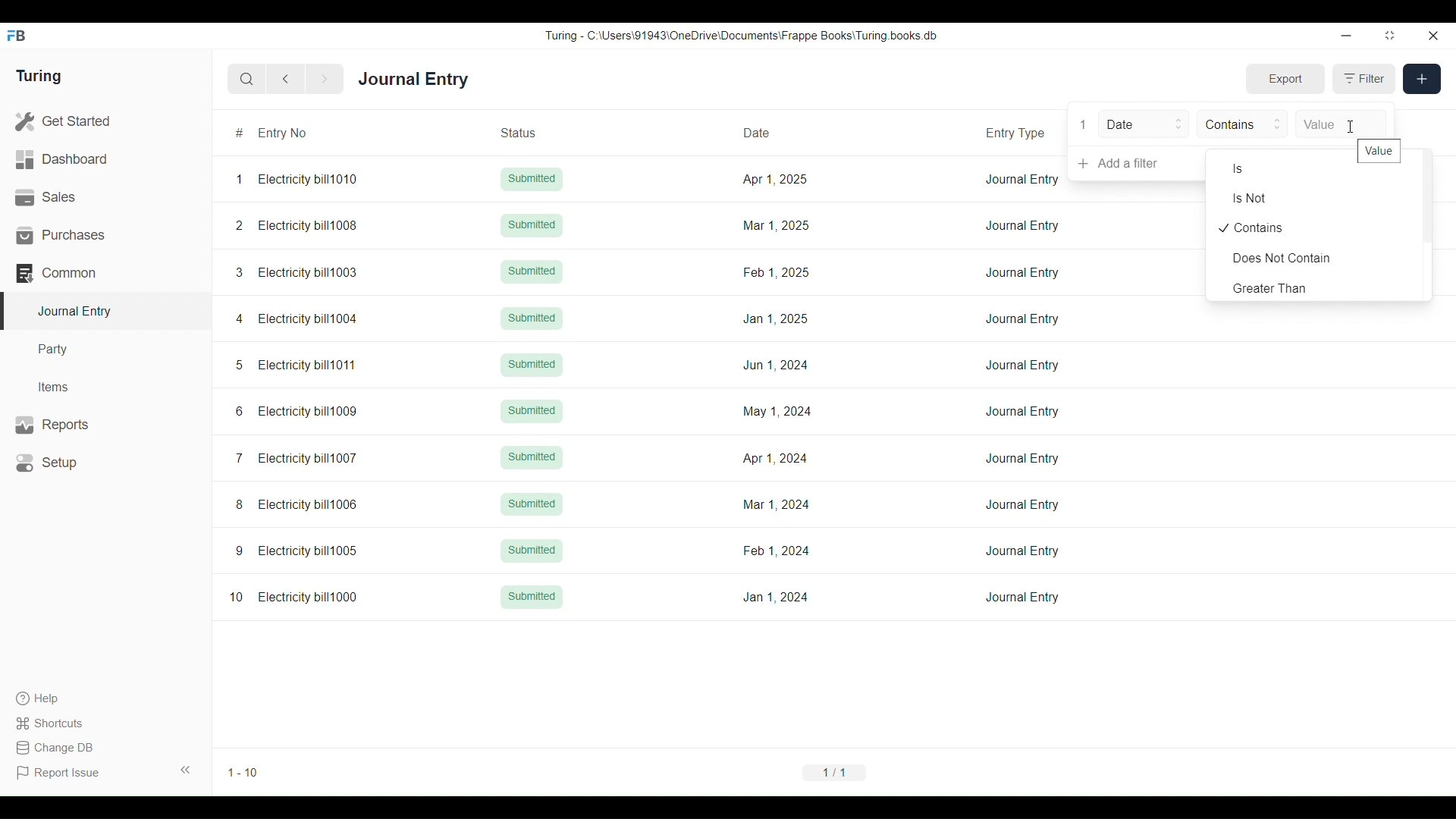 The width and height of the screenshot is (1456, 819). I want to click on Journal Entry, so click(413, 78).